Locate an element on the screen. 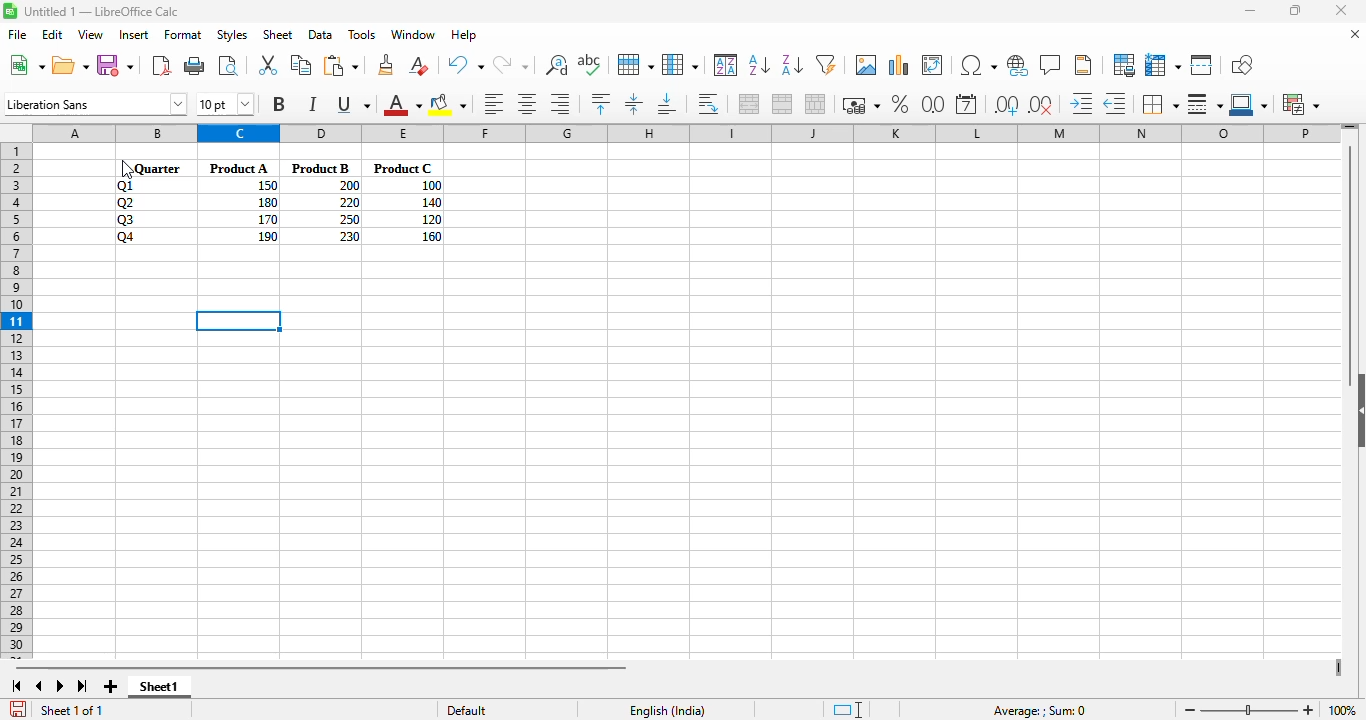  Q2 is located at coordinates (127, 203).